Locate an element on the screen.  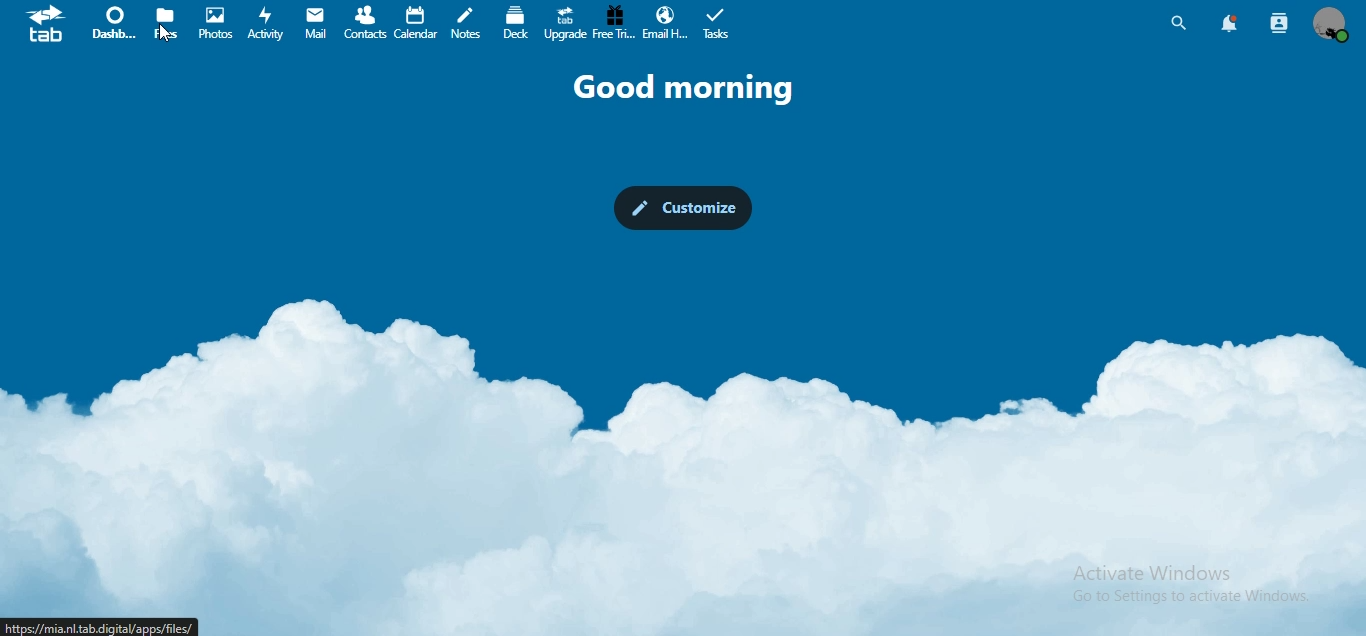
free trial is located at coordinates (615, 23).